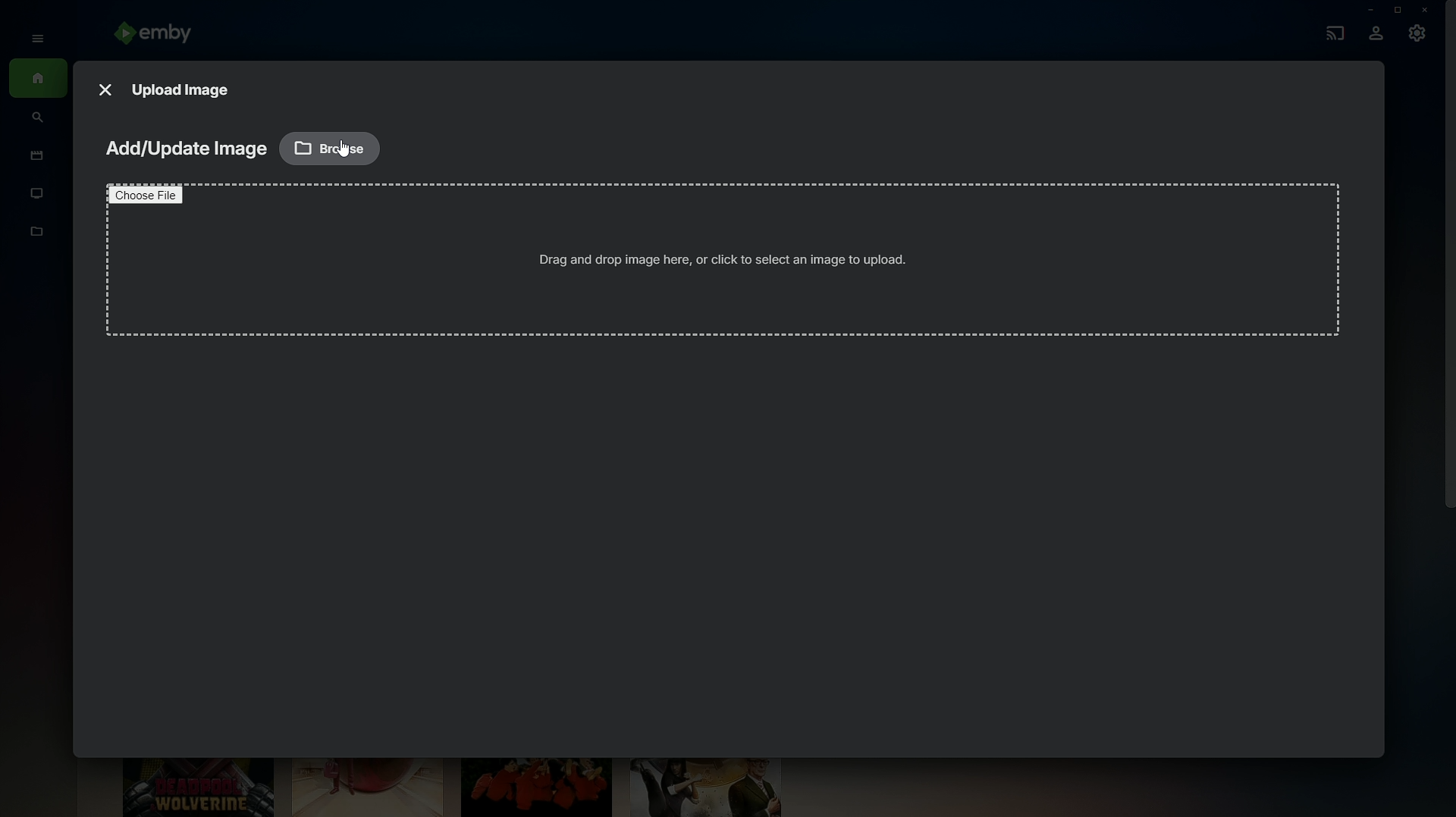  What do you see at coordinates (342, 149) in the screenshot?
I see `` at bounding box center [342, 149].